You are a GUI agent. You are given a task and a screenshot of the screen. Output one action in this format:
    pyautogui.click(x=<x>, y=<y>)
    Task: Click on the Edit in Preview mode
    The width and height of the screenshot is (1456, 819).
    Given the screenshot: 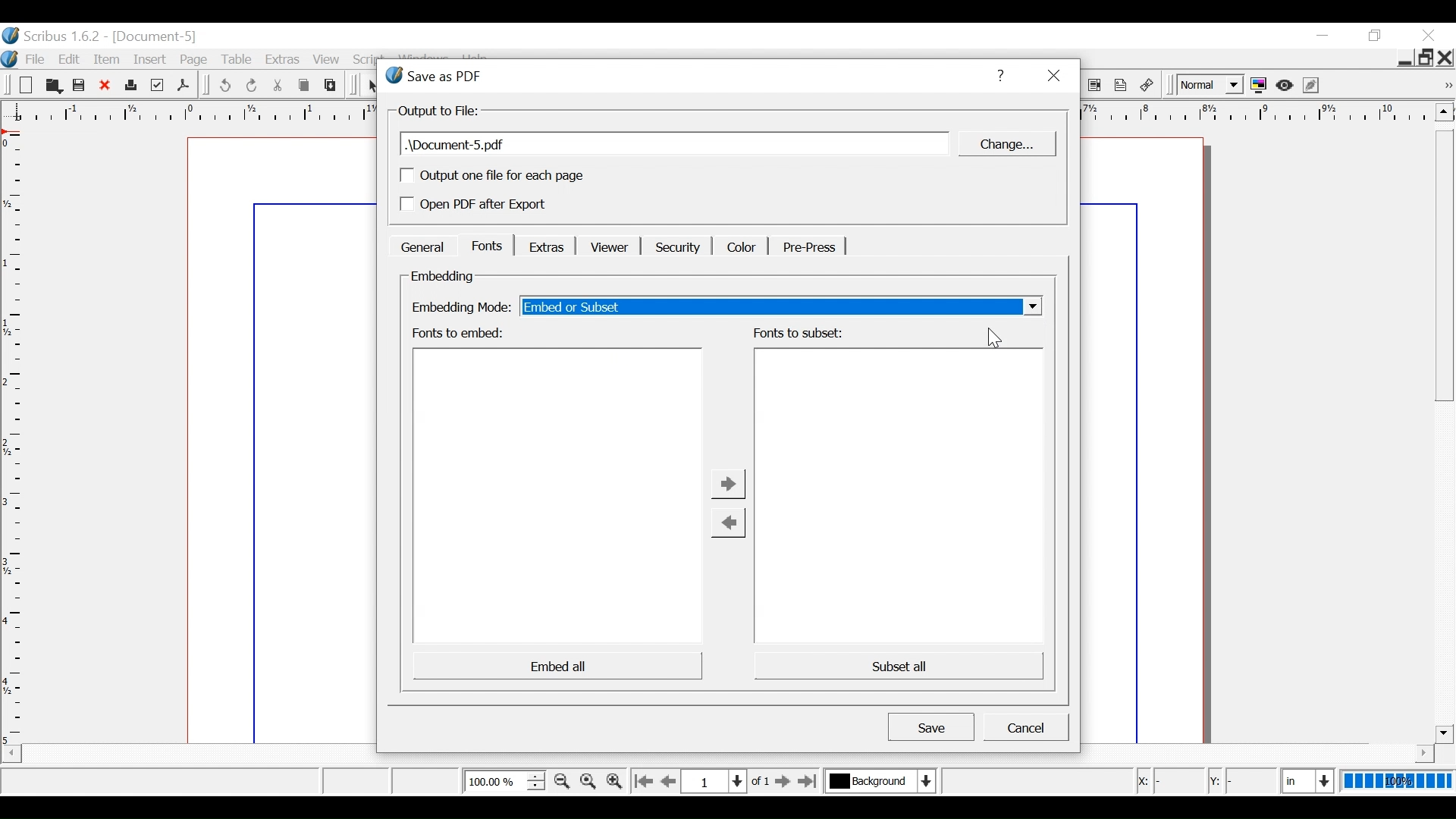 What is the action you would take?
    pyautogui.click(x=1313, y=85)
    